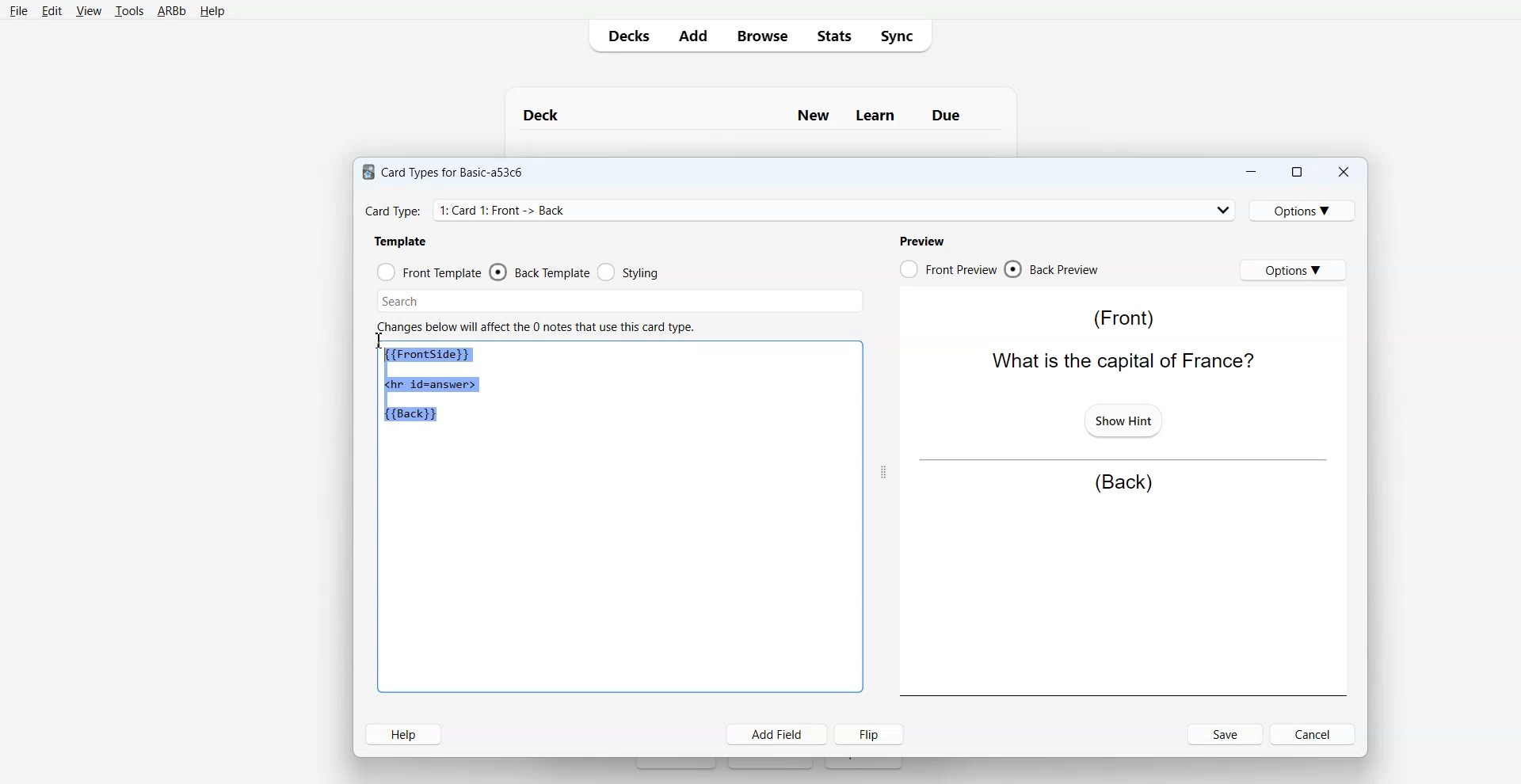  Describe the element at coordinates (444, 171) in the screenshot. I see `Card Types for Basic-a53c6` at that location.